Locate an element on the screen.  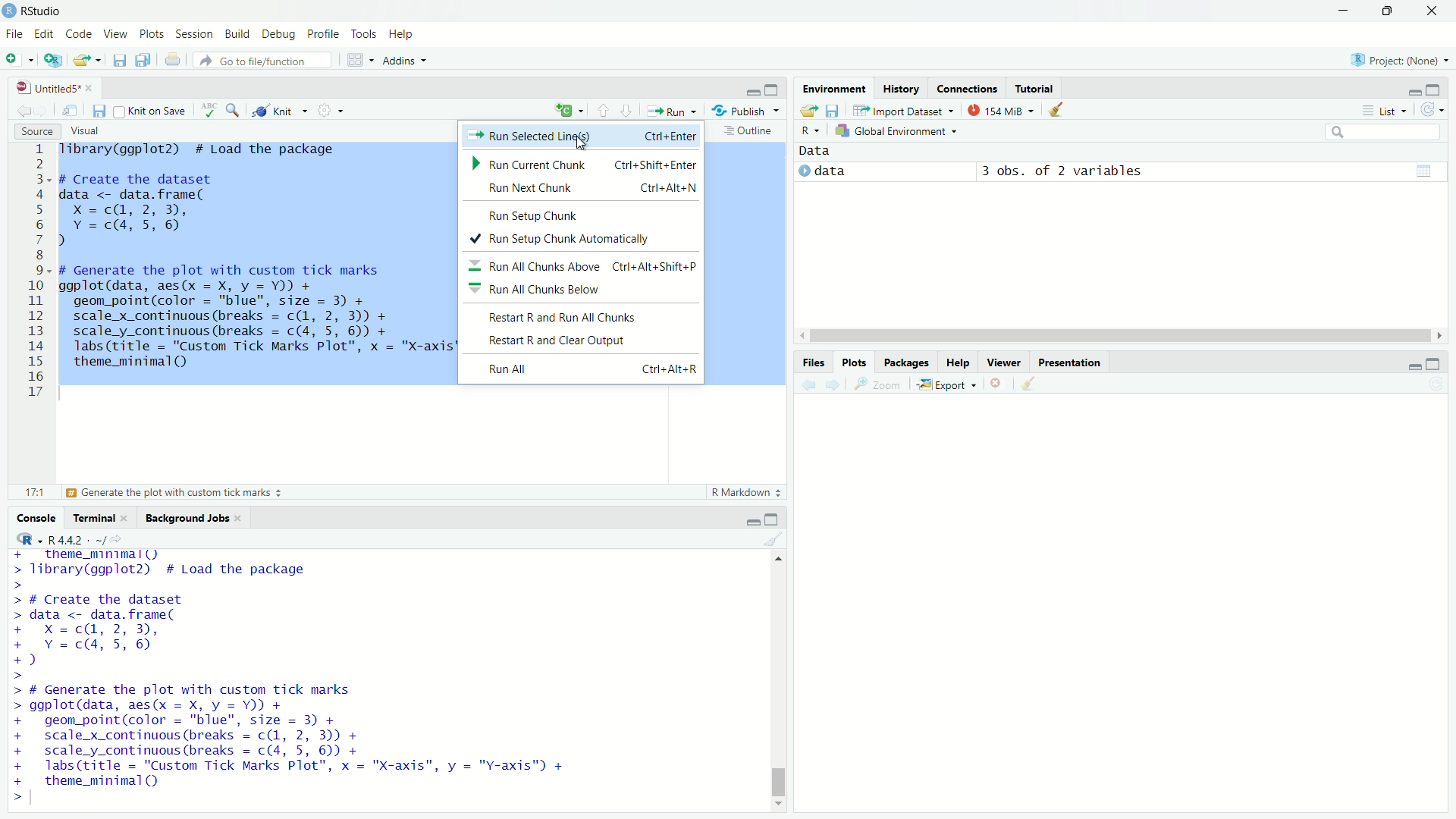
insert a code chunk is located at coordinates (568, 108).